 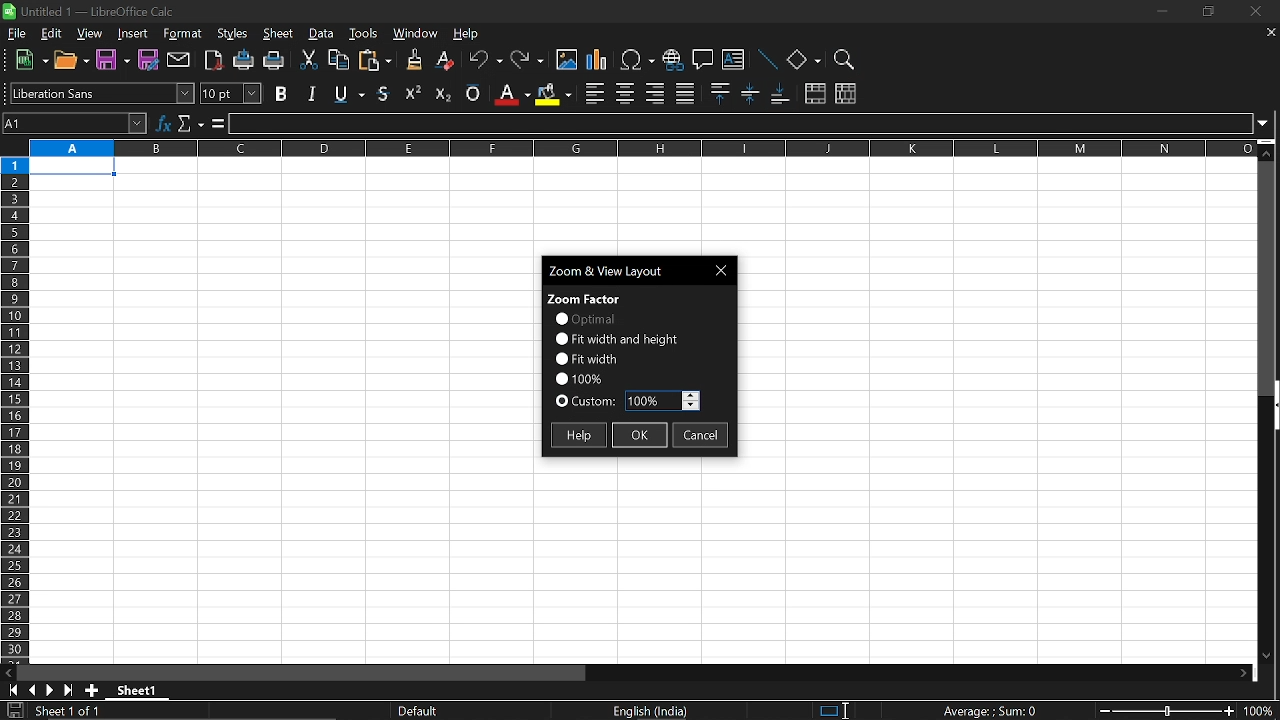 What do you see at coordinates (350, 92) in the screenshot?
I see `strikethough` at bounding box center [350, 92].